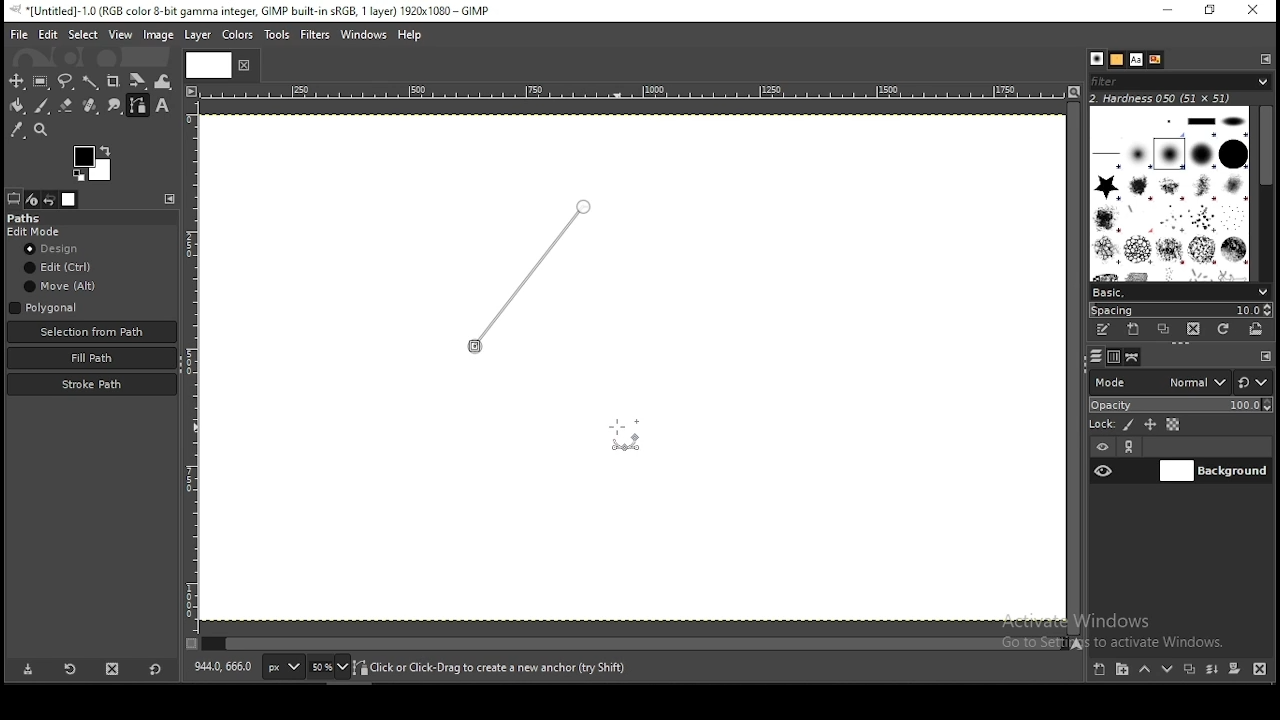  I want to click on polygon, so click(45, 307).